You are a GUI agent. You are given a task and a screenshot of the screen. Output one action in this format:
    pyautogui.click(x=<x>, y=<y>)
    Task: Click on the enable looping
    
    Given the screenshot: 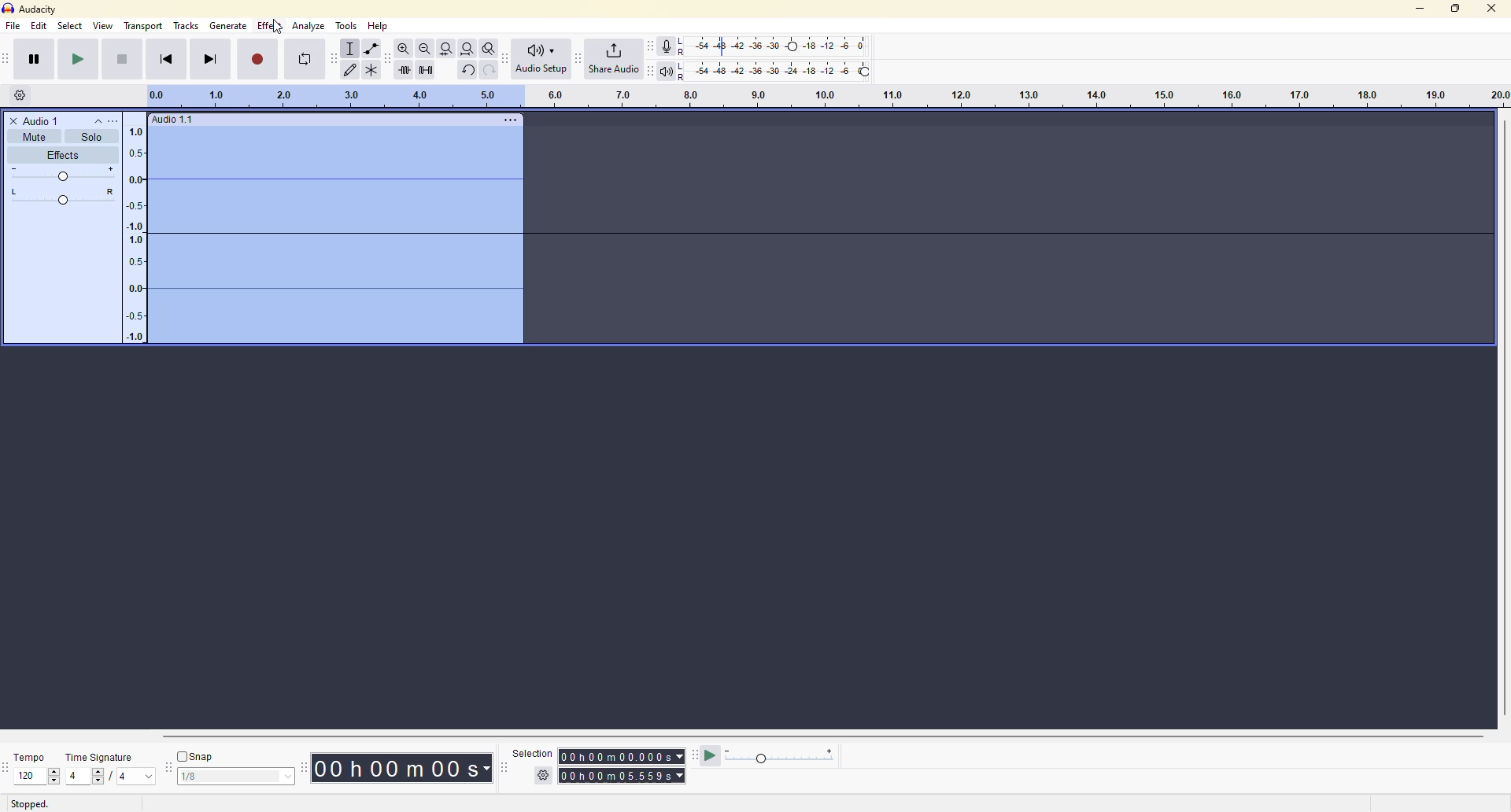 What is the action you would take?
    pyautogui.click(x=305, y=59)
    